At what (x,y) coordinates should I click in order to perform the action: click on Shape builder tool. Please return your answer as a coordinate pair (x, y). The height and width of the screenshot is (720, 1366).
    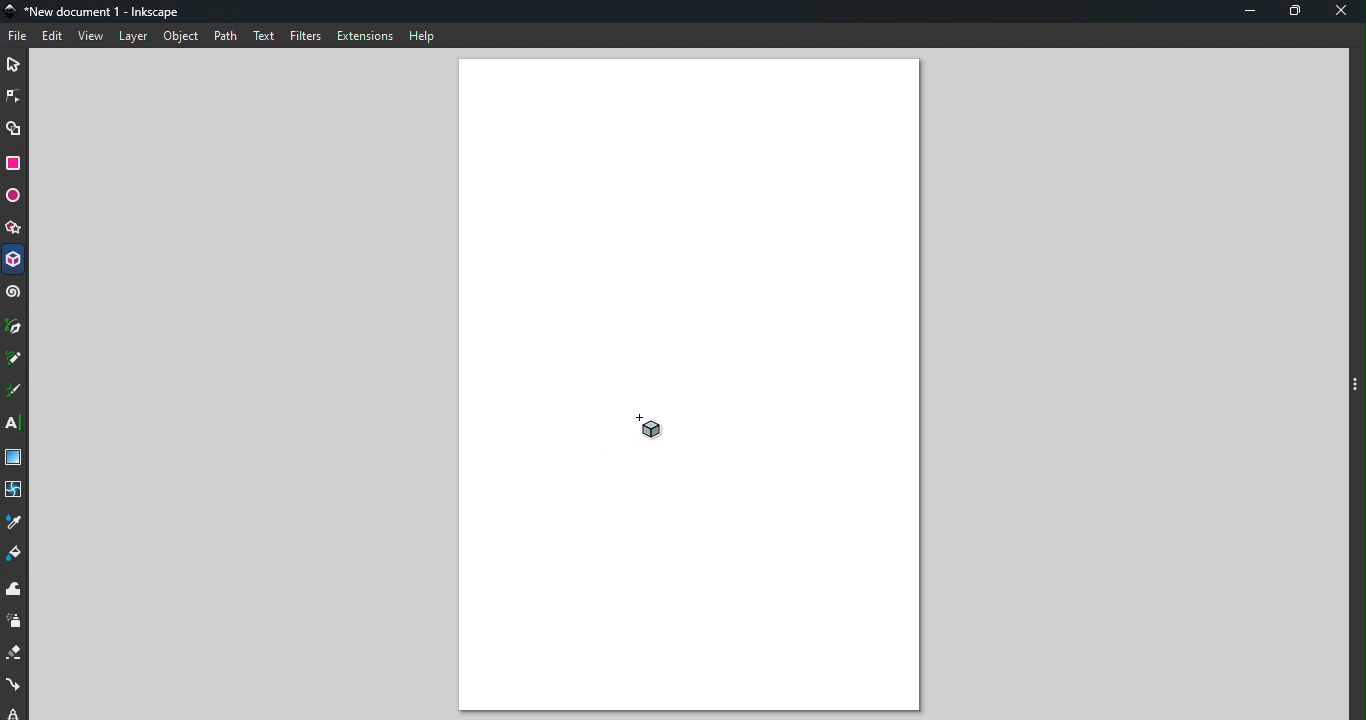
    Looking at the image, I should click on (14, 127).